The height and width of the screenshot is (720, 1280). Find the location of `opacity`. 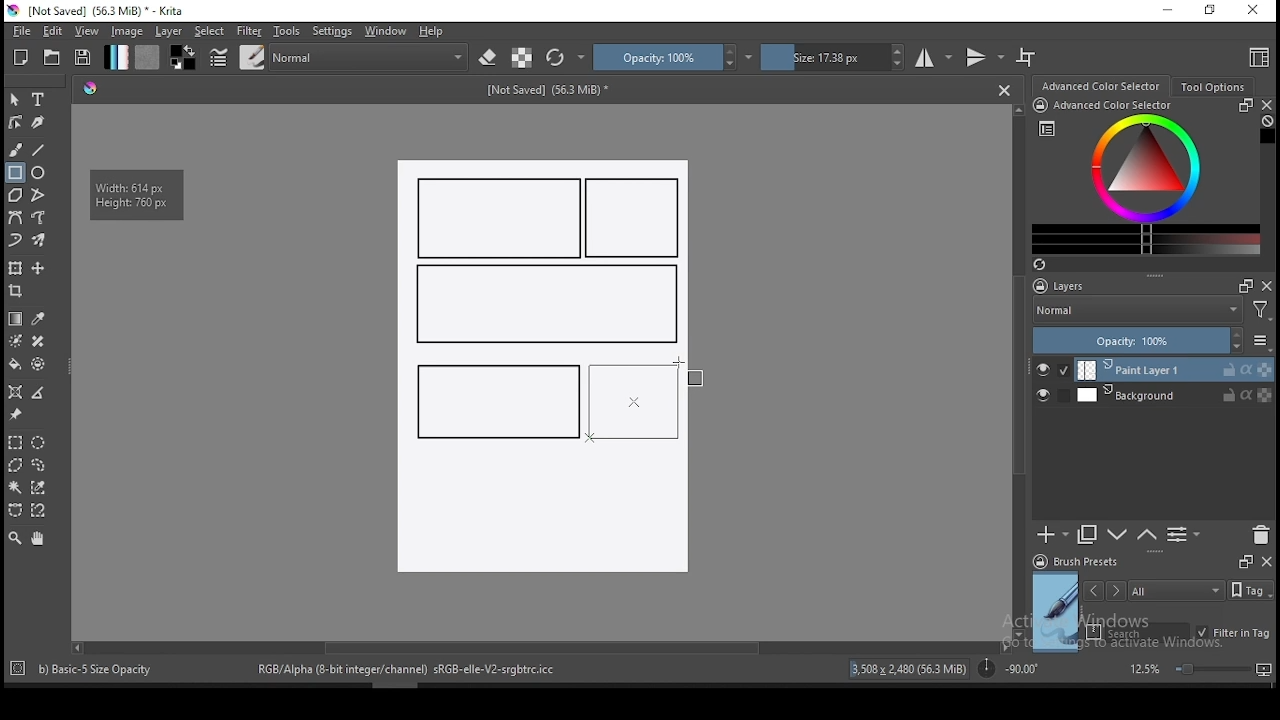

opacity is located at coordinates (673, 57).